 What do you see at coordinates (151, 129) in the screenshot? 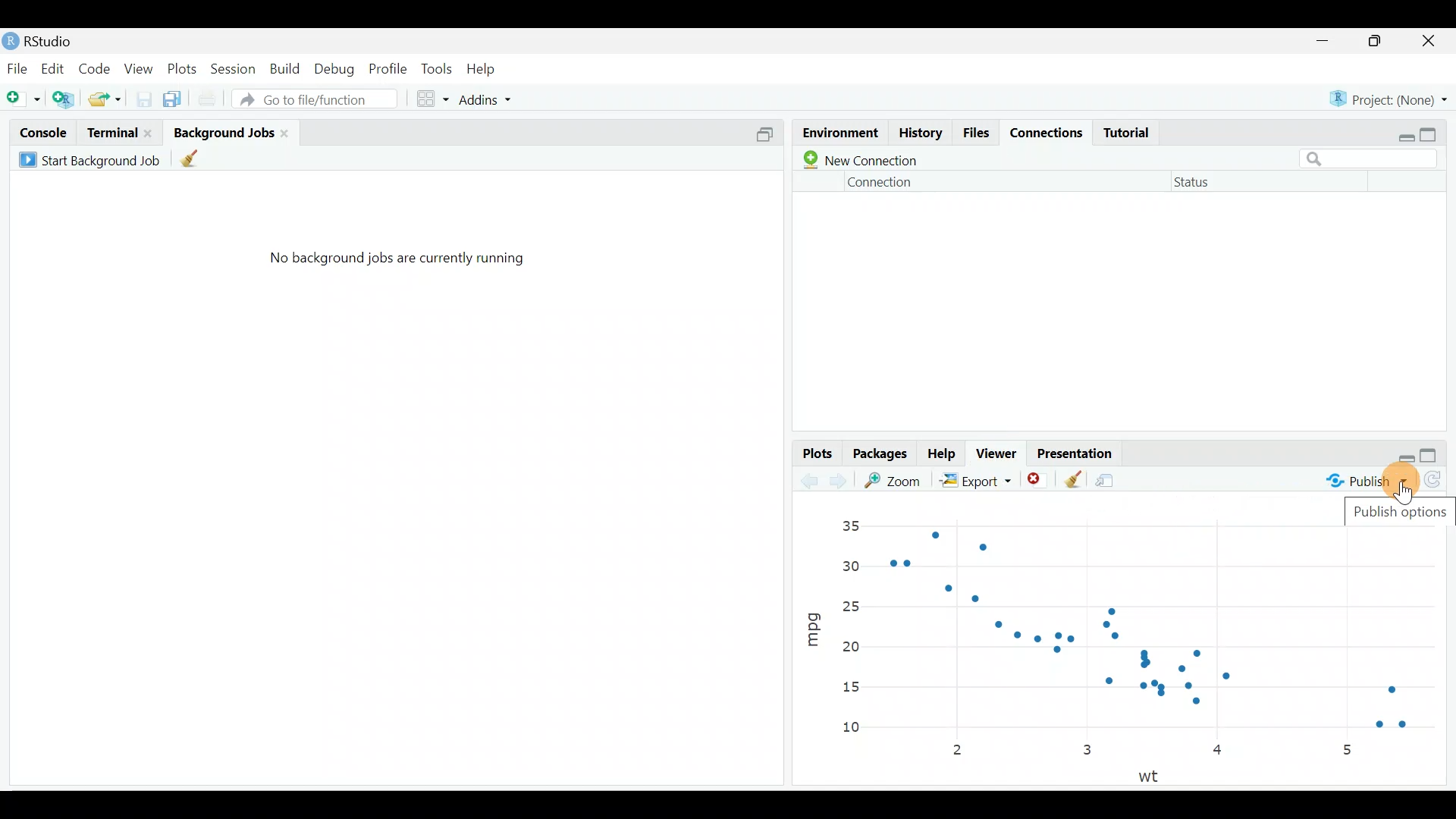
I see `close terminal` at bounding box center [151, 129].